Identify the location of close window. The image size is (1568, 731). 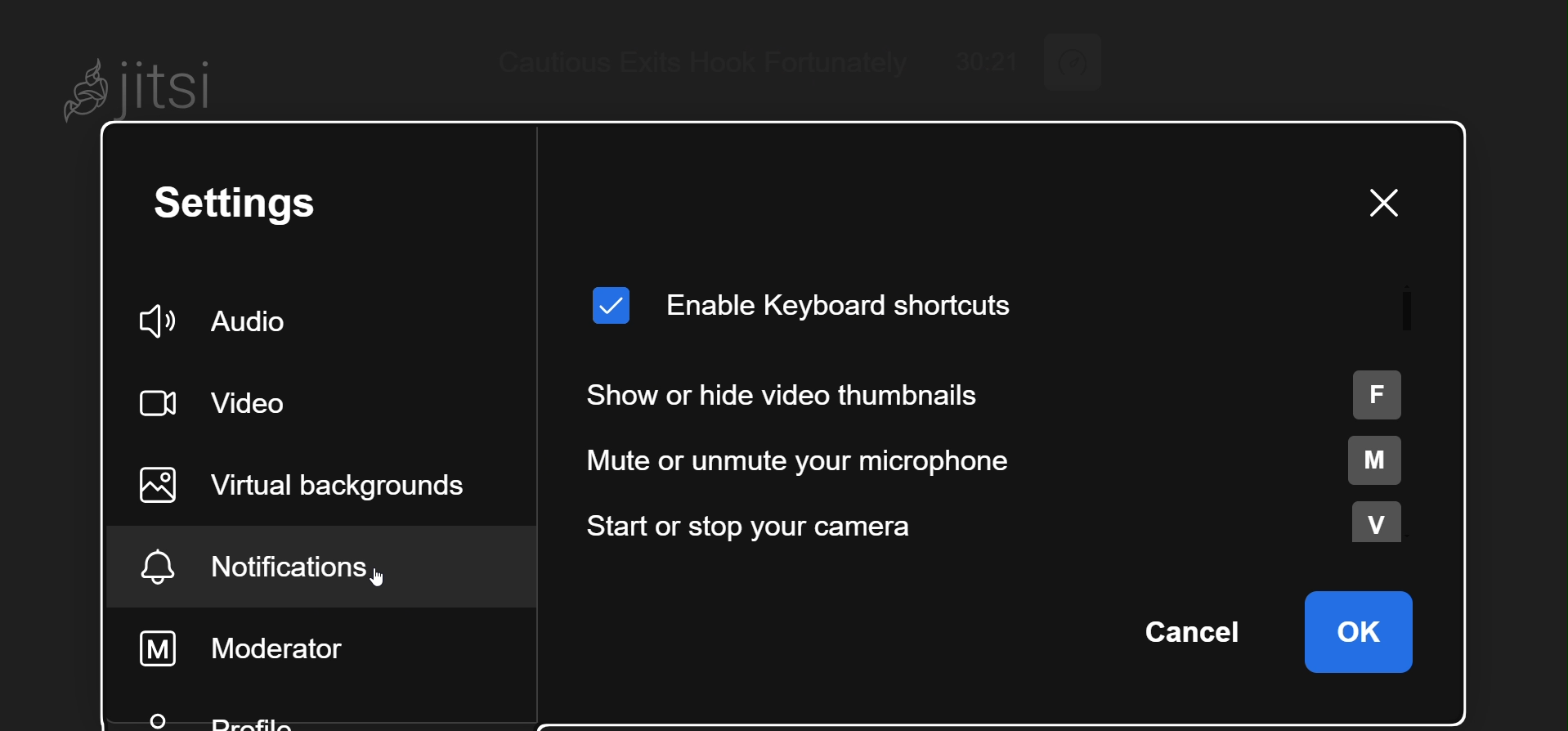
(1376, 203).